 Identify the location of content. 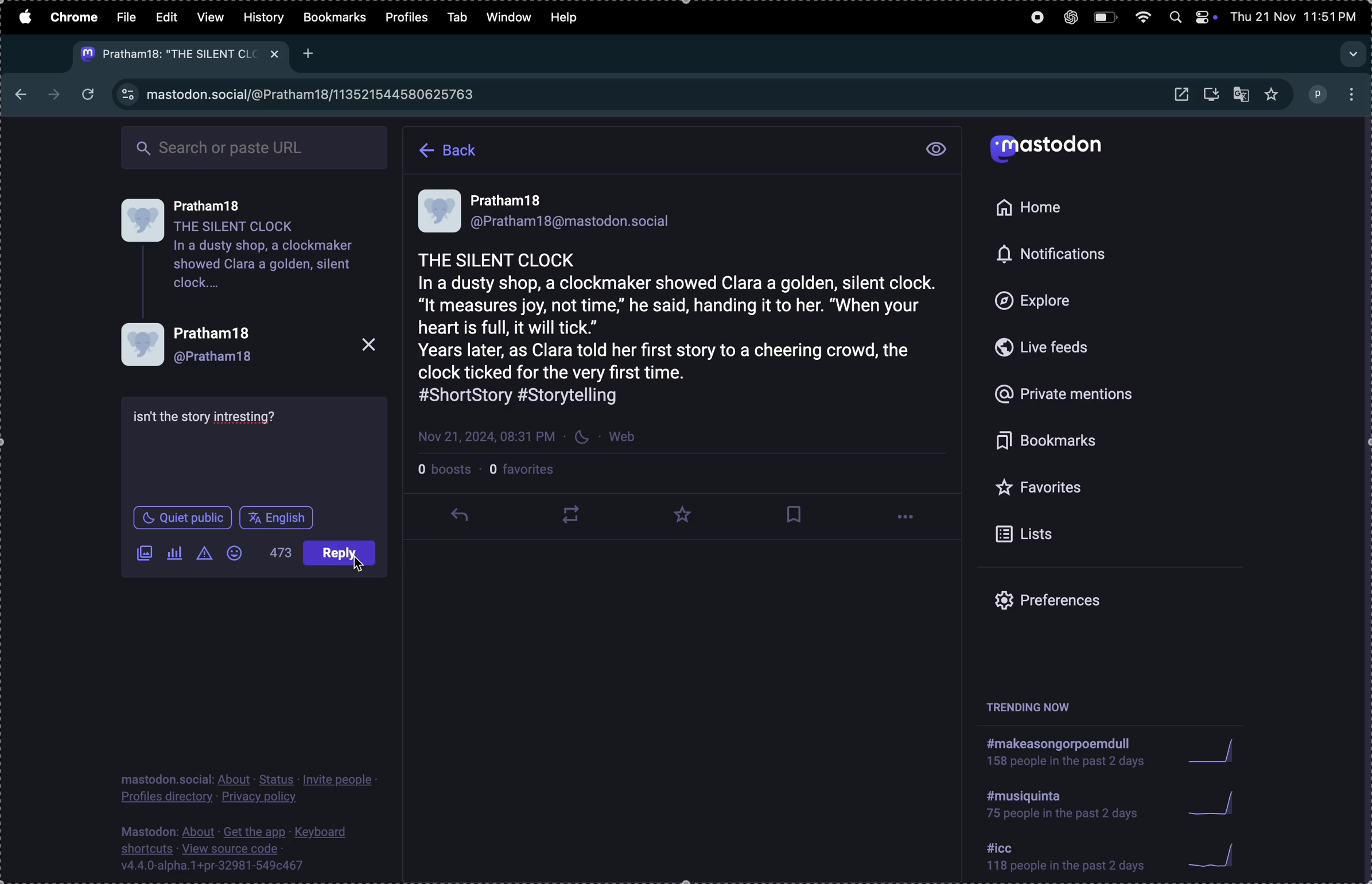
(209, 420).